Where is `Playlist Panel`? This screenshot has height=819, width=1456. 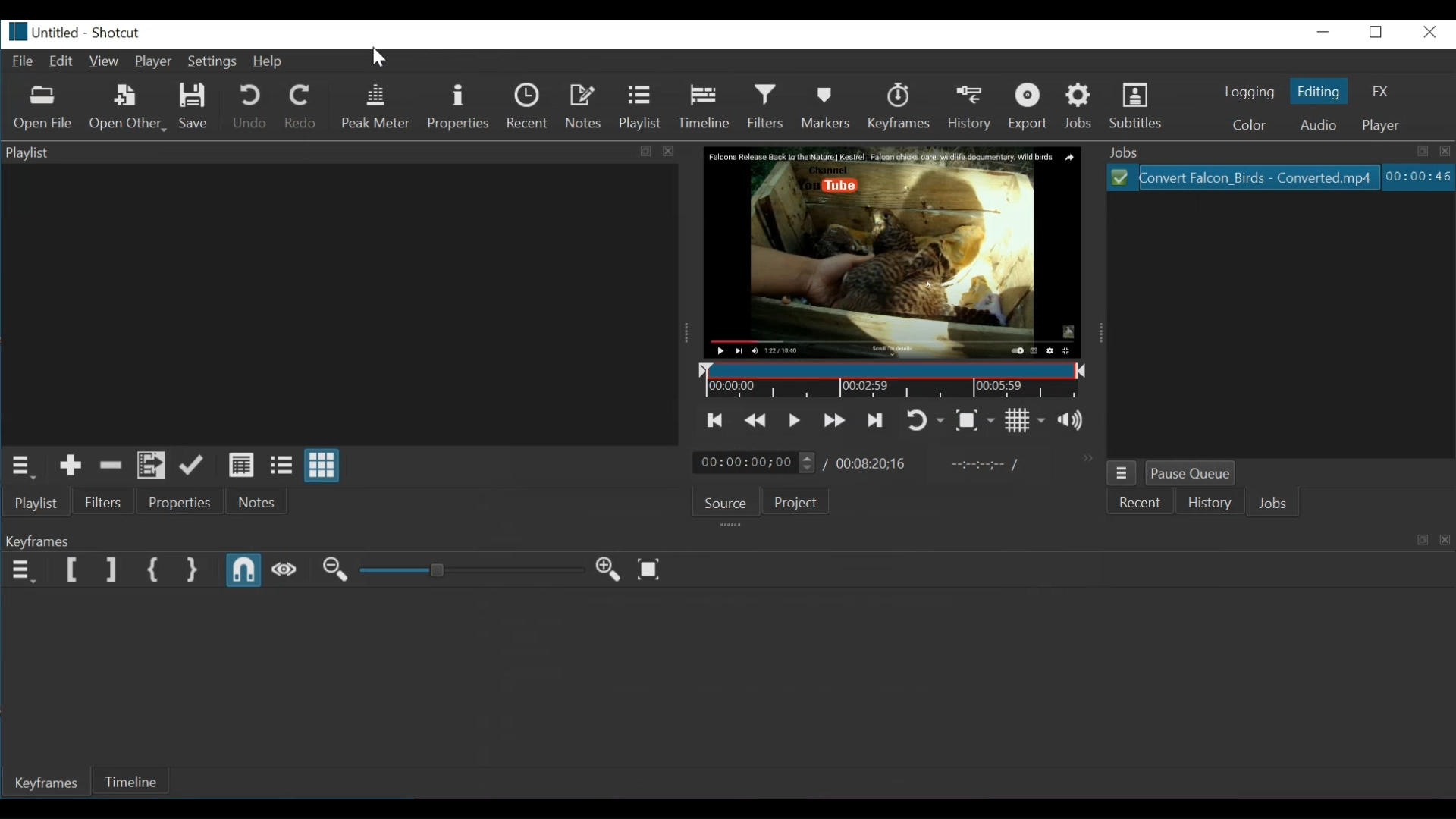
Playlist Panel is located at coordinates (344, 302).